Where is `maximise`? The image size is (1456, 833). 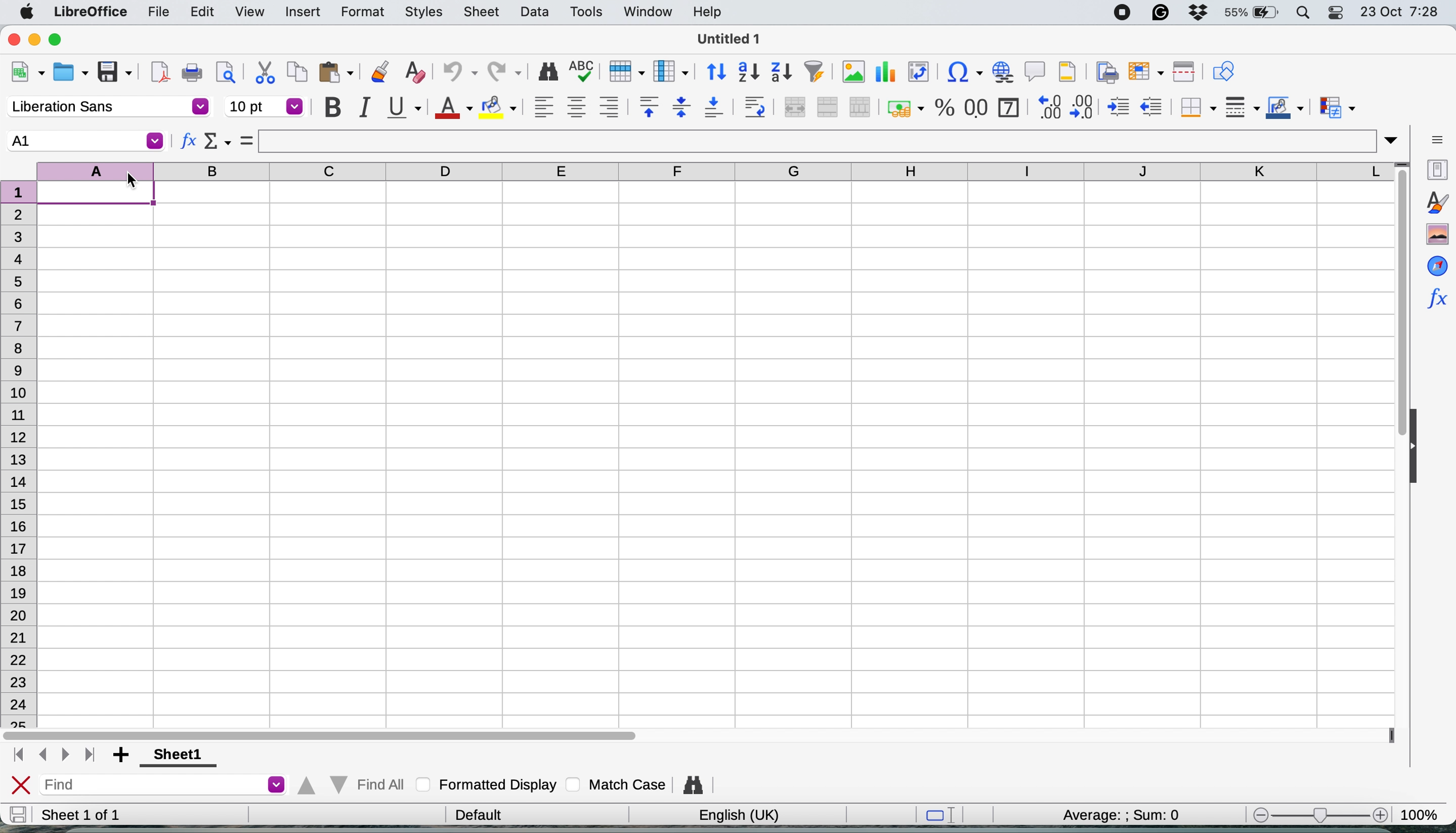 maximise is located at coordinates (61, 41).